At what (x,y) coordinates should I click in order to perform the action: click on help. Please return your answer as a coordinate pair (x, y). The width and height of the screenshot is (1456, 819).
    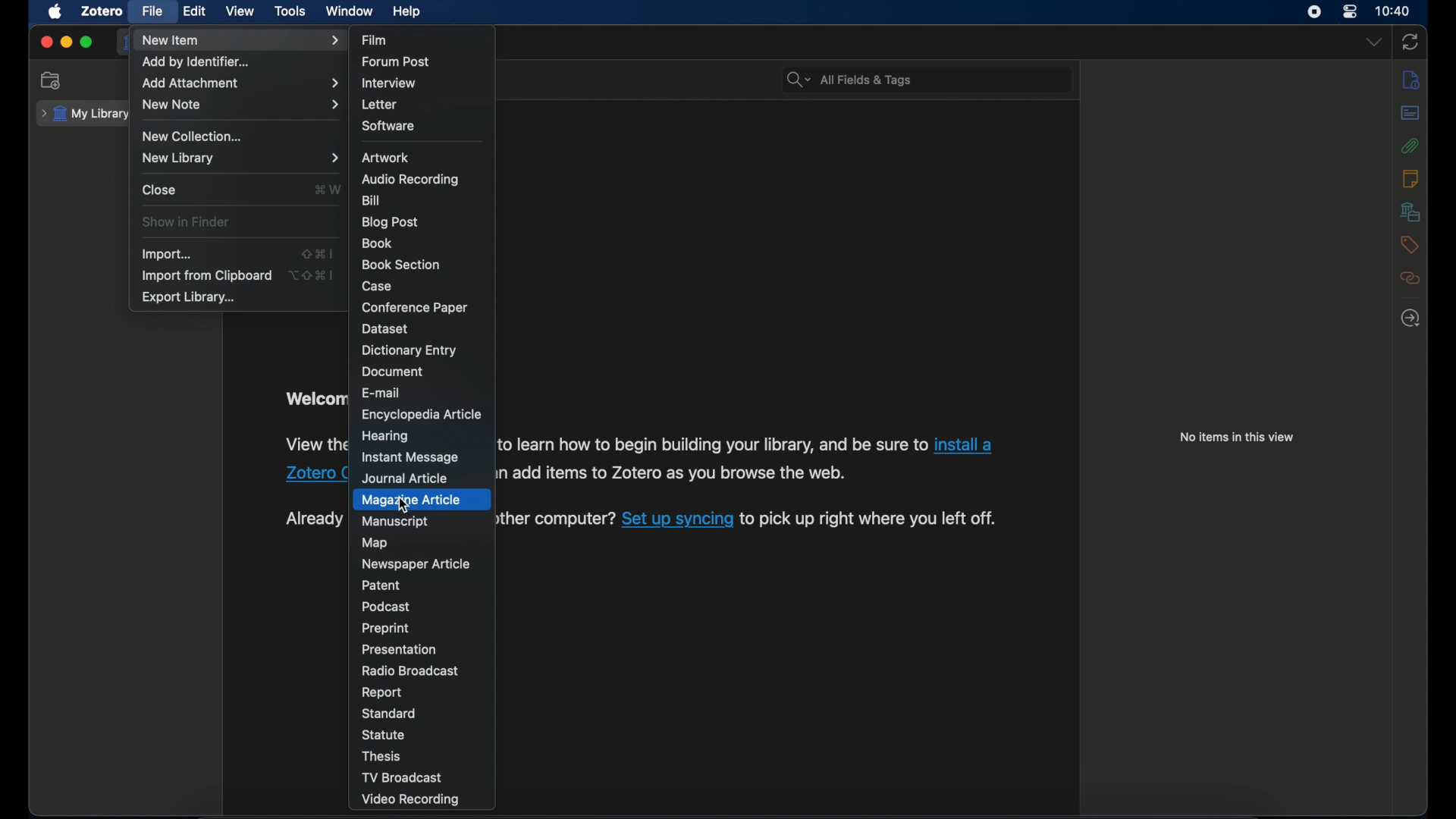
    Looking at the image, I should click on (406, 12).